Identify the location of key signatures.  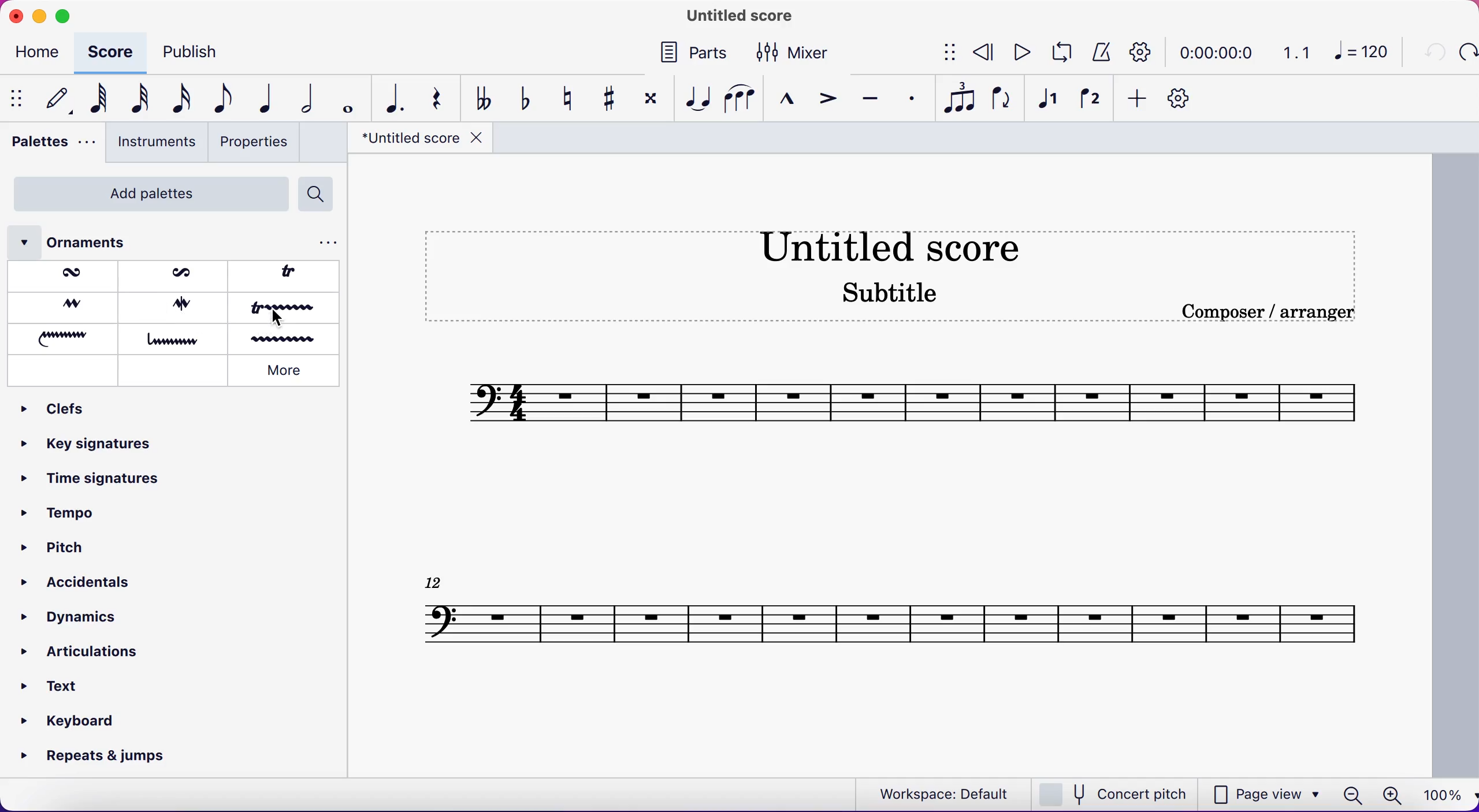
(91, 448).